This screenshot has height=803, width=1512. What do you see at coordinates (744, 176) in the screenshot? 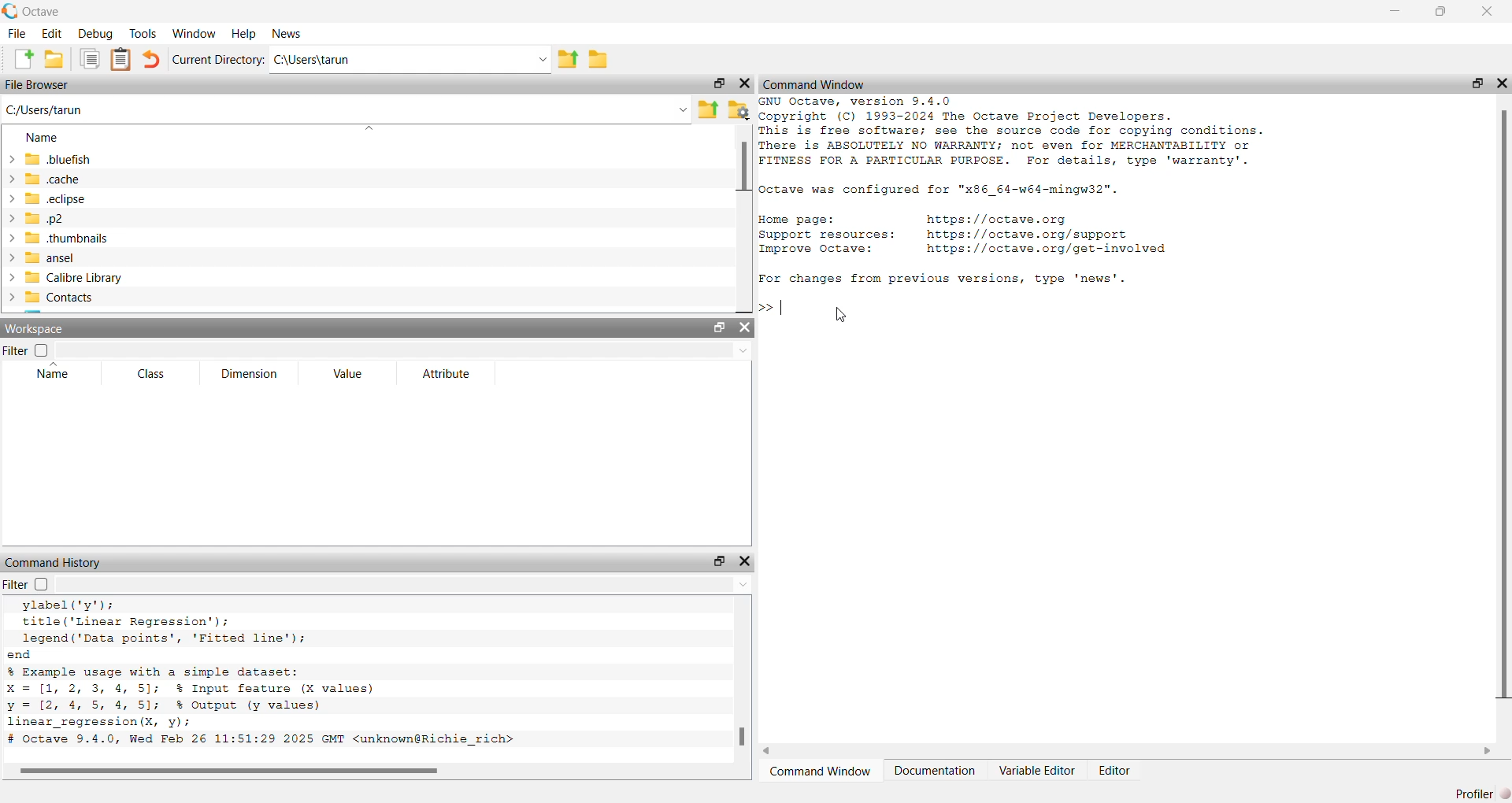
I see `scrollbar` at bounding box center [744, 176].